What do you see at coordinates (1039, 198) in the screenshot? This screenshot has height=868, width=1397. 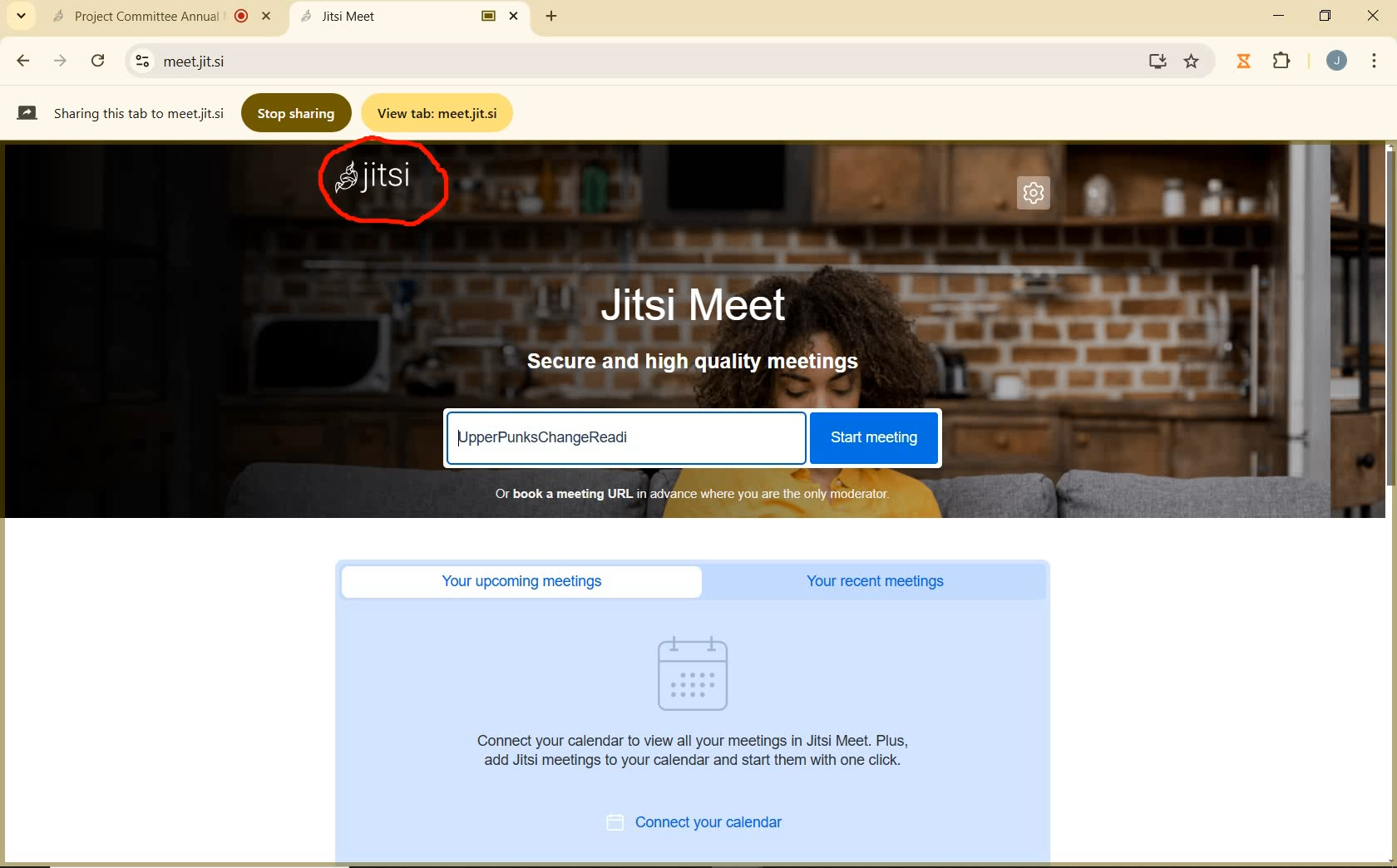 I see `SETTINGS` at bounding box center [1039, 198].